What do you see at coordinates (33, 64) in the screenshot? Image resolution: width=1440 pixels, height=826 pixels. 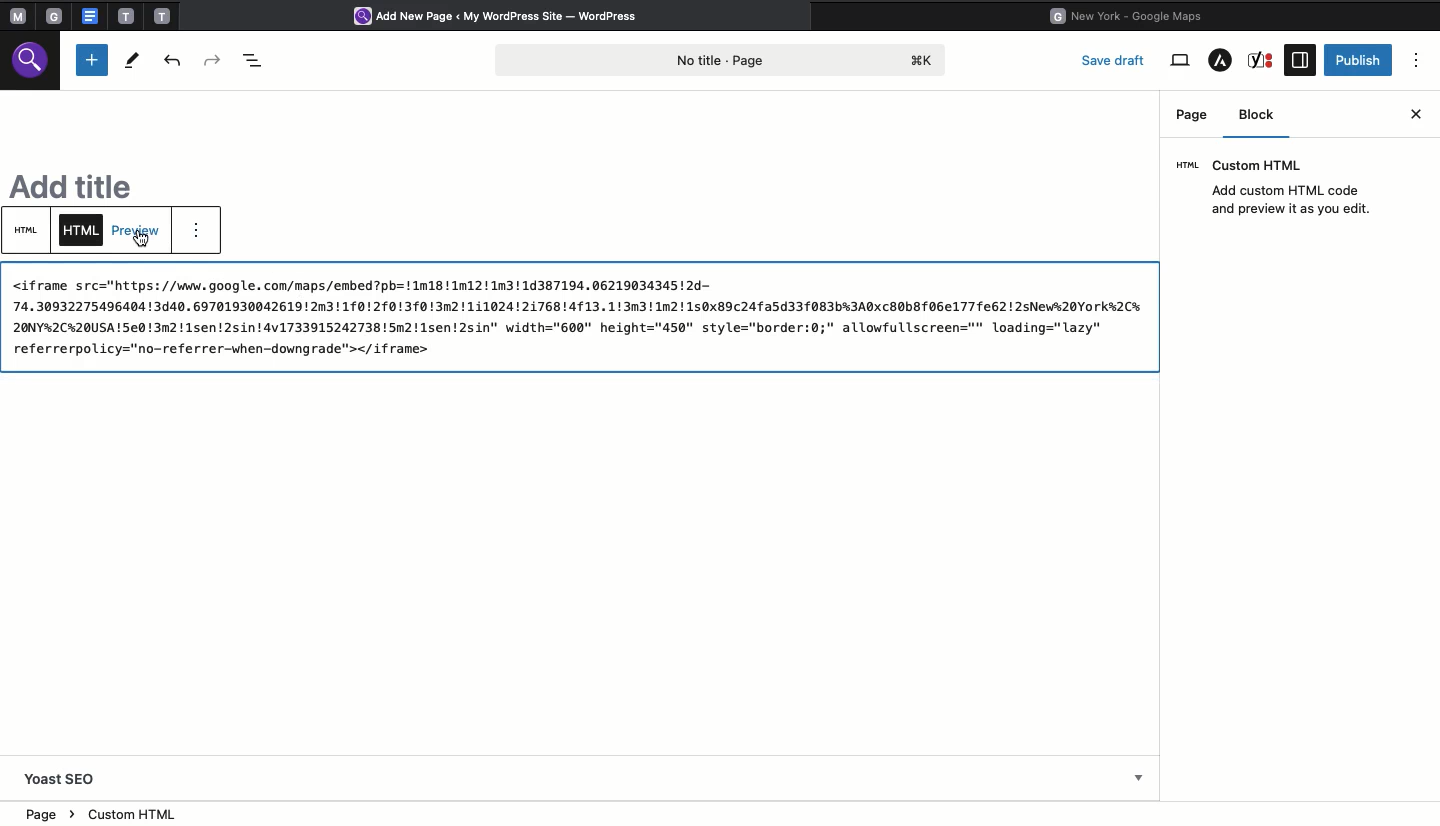 I see `search` at bounding box center [33, 64].